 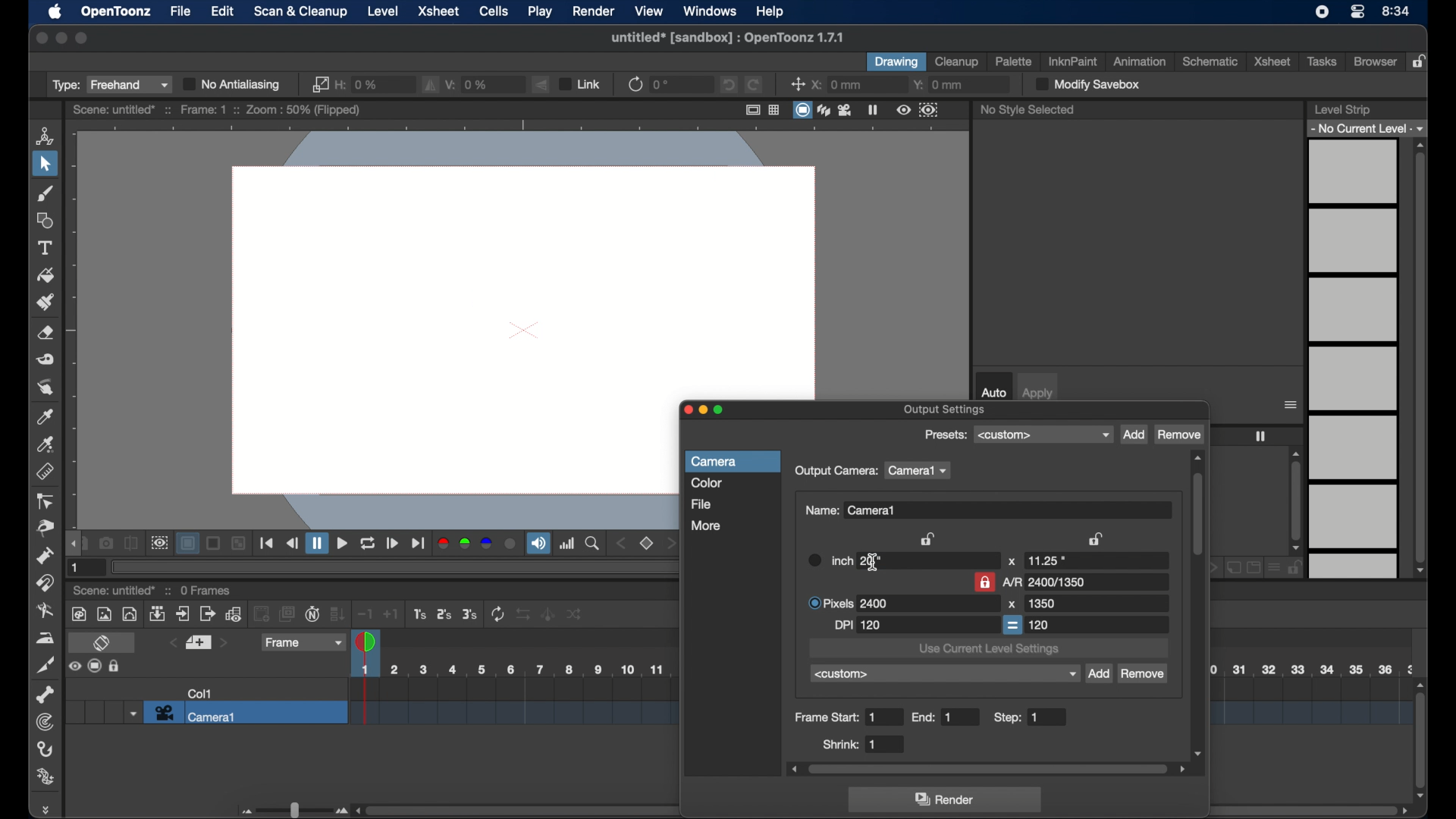 What do you see at coordinates (184, 615) in the screenshot?
I see `` at bounding box center [184, 615].